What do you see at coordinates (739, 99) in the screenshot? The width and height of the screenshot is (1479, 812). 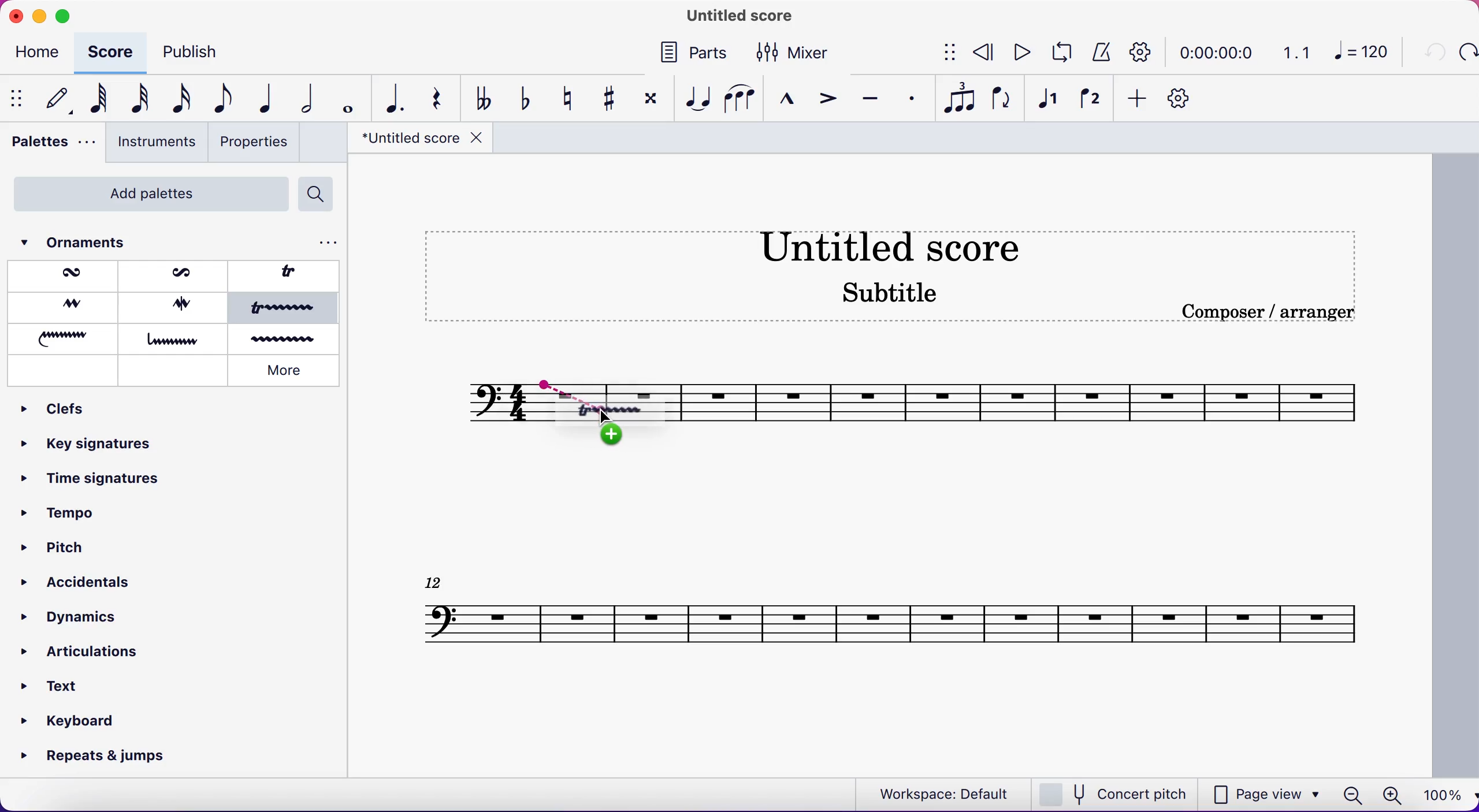 I see `slur` at bounding box center [739, 99].